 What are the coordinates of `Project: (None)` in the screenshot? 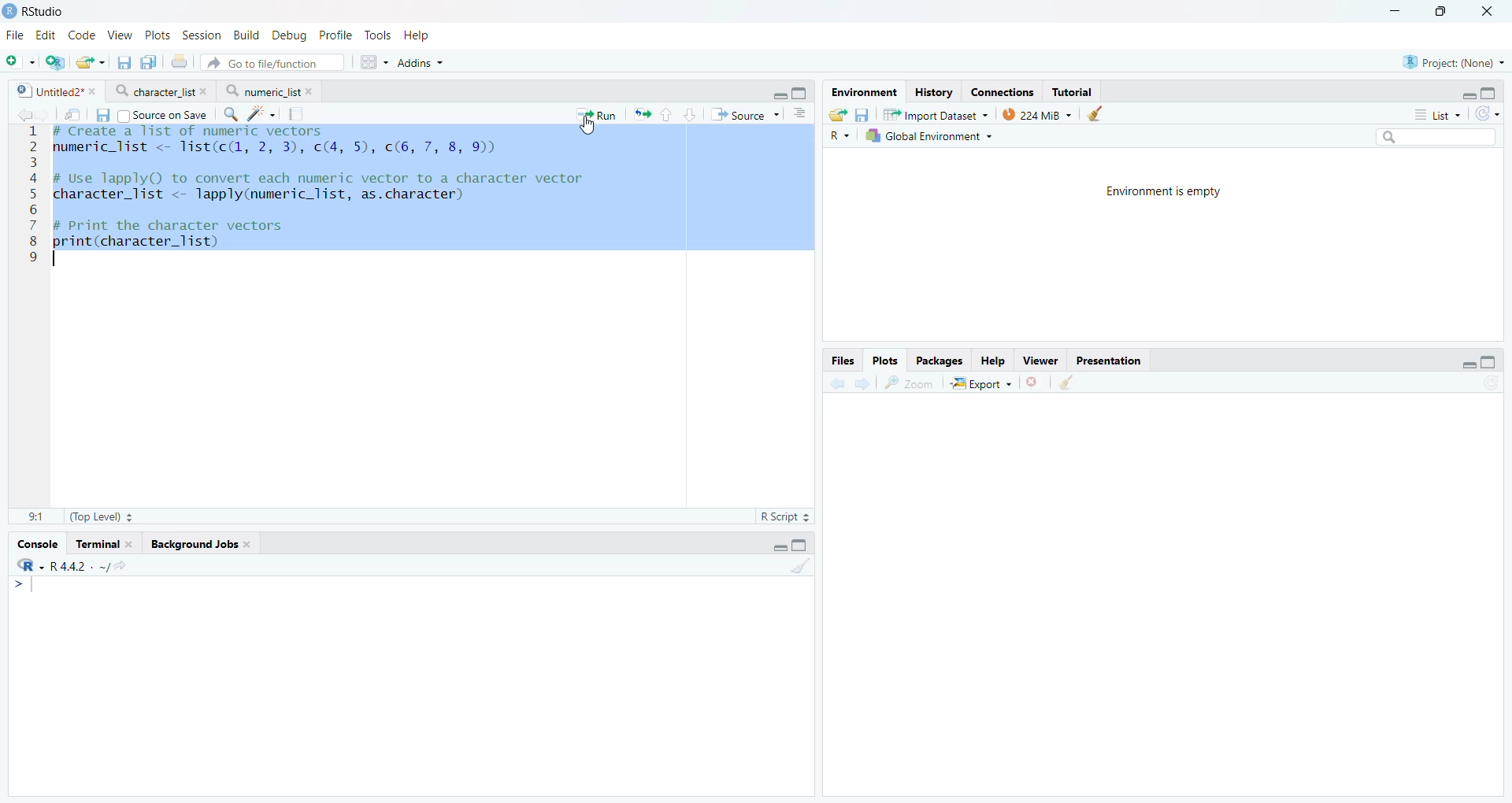 It's located at (1451, 61).